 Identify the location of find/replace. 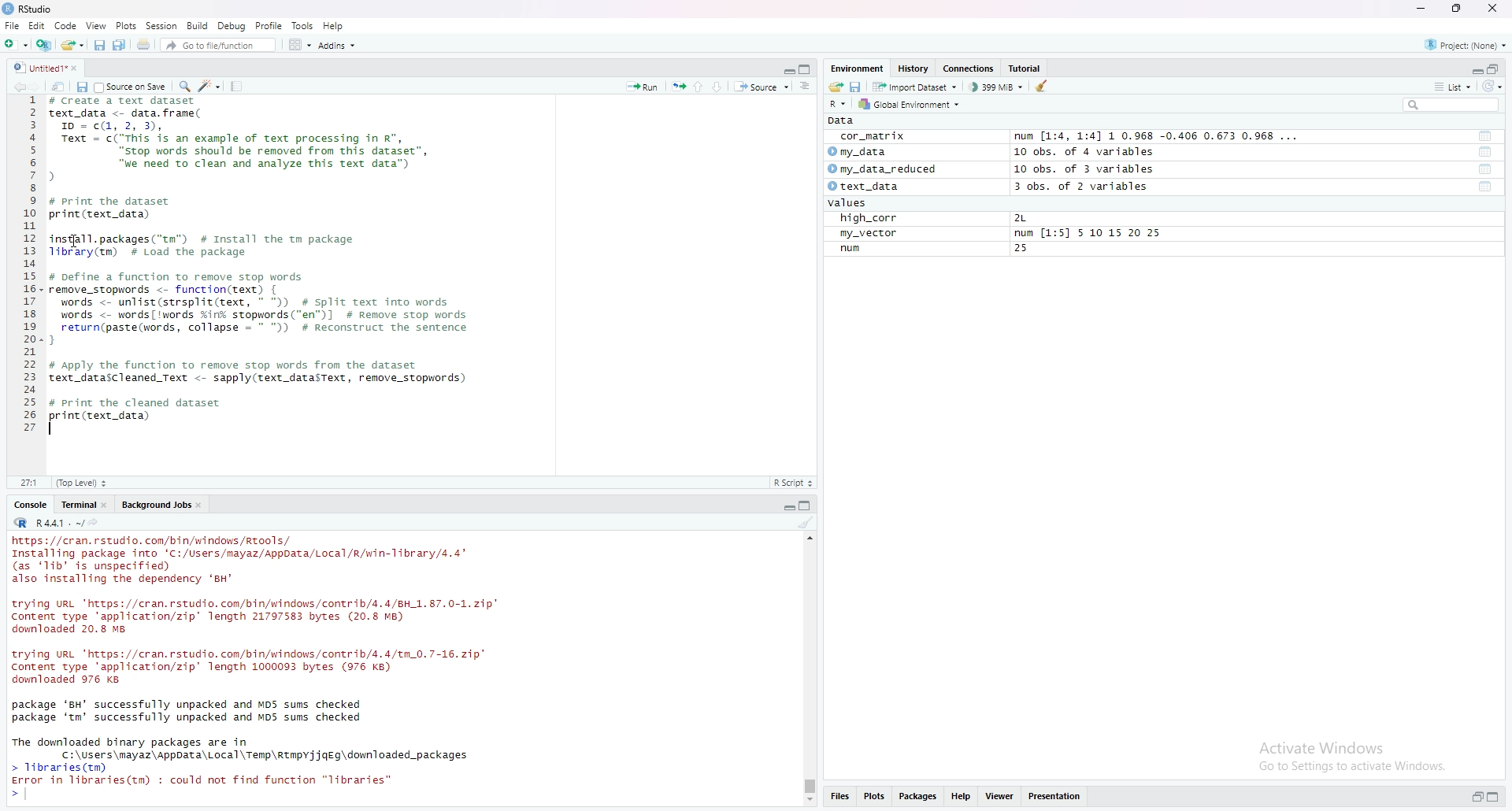
(183, 85).